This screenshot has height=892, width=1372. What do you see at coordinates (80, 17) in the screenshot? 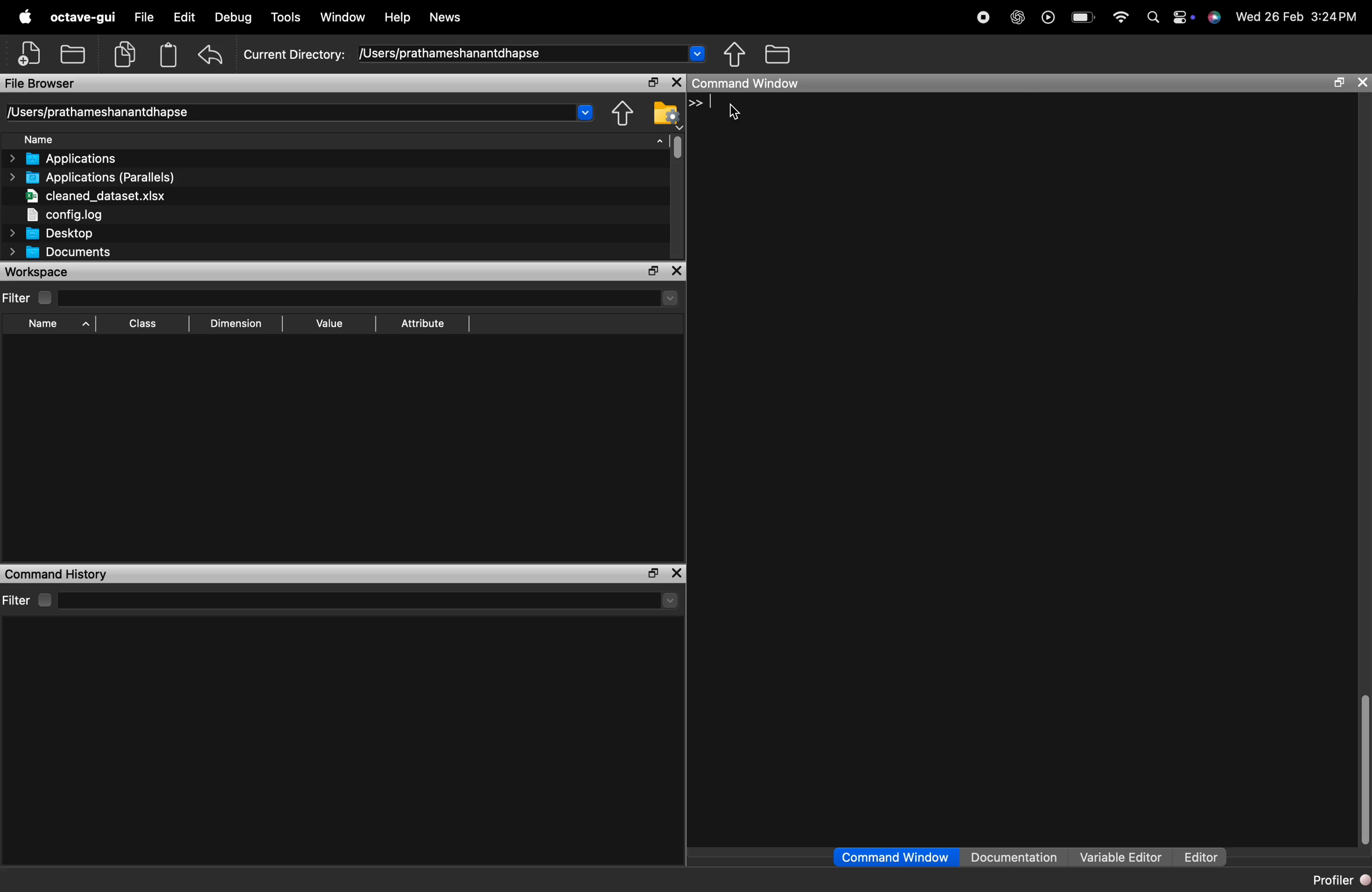
I see `octave-gui` at bounding box center [80, 17].